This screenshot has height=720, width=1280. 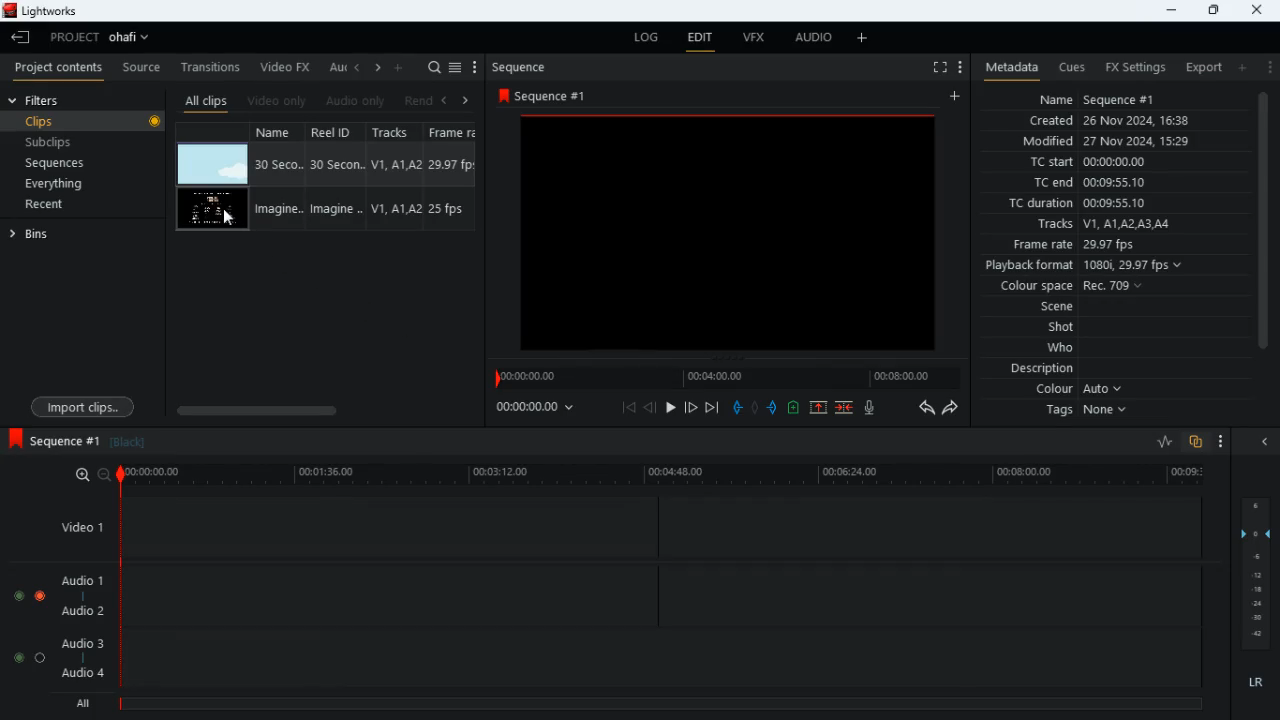 I want to click on black, so click(x=133, y=442).